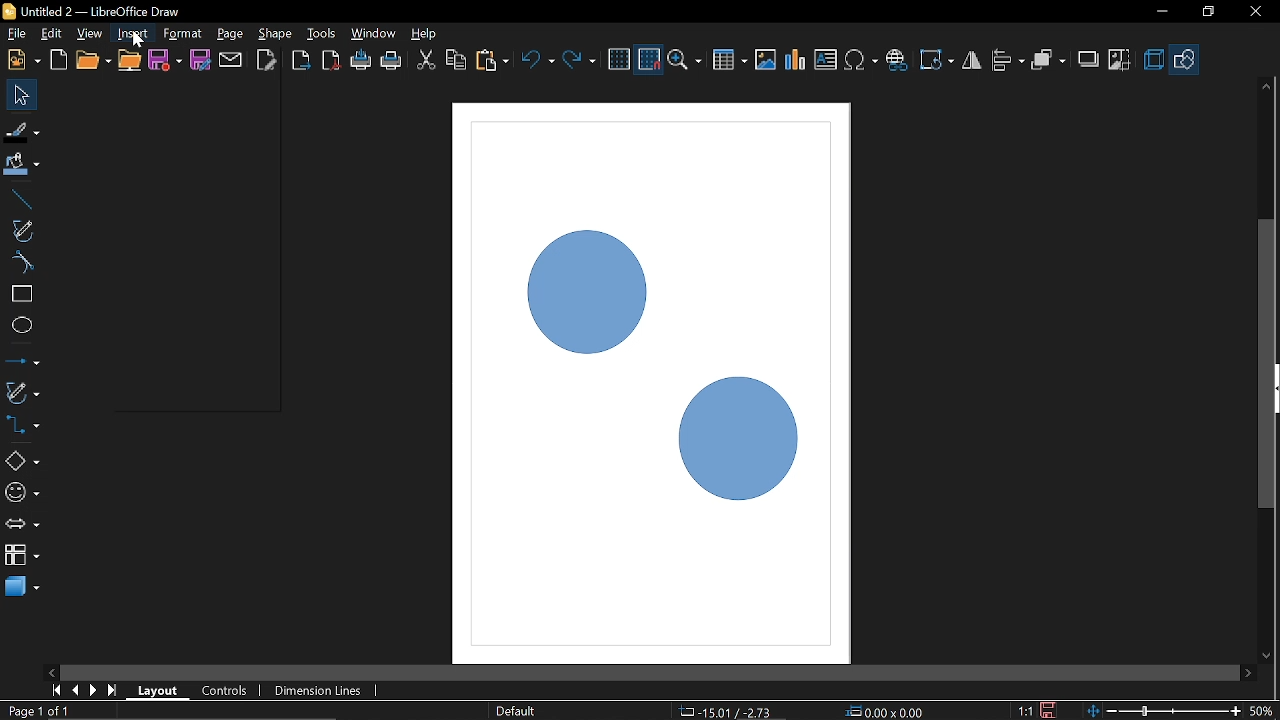  I want to click on Select, so click(23, 95).